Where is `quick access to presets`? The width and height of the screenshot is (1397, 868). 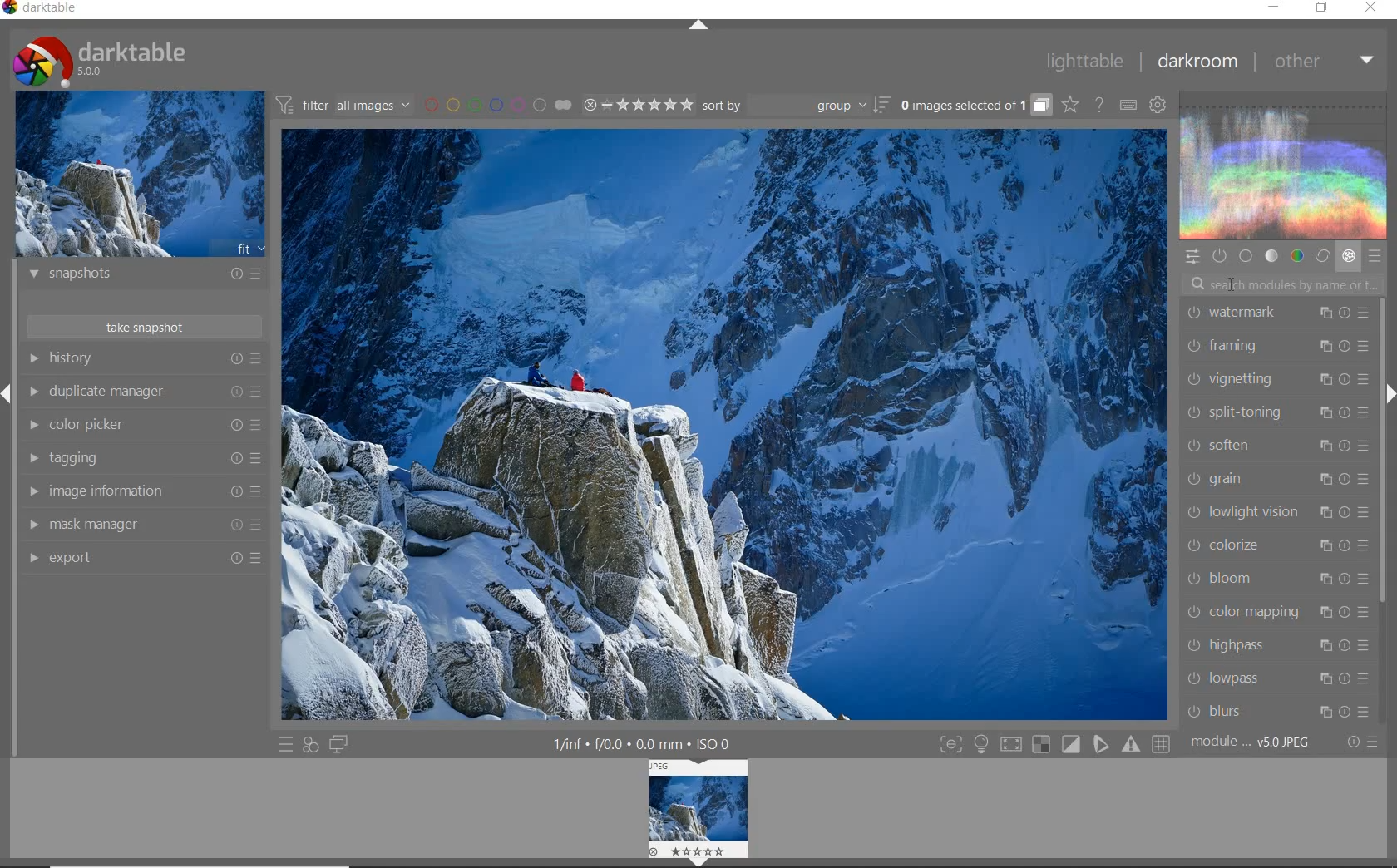
quick access to presets is located at coordinates (286, 745).